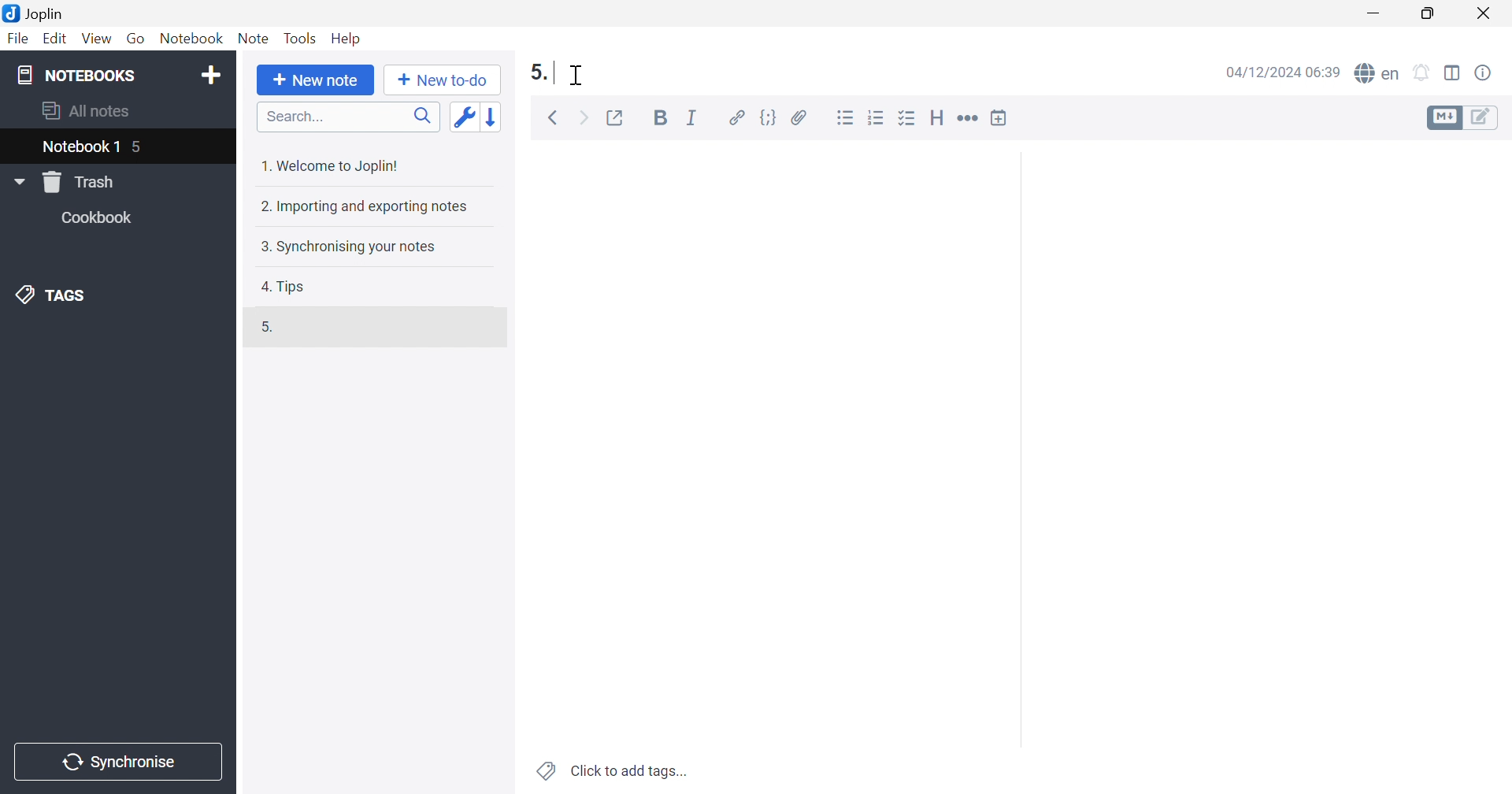 The width and height of the screenshot is (1512, 794). Describe the element at coordinates (1003, 117) in the screenshot. I see `Insert time` at that location.